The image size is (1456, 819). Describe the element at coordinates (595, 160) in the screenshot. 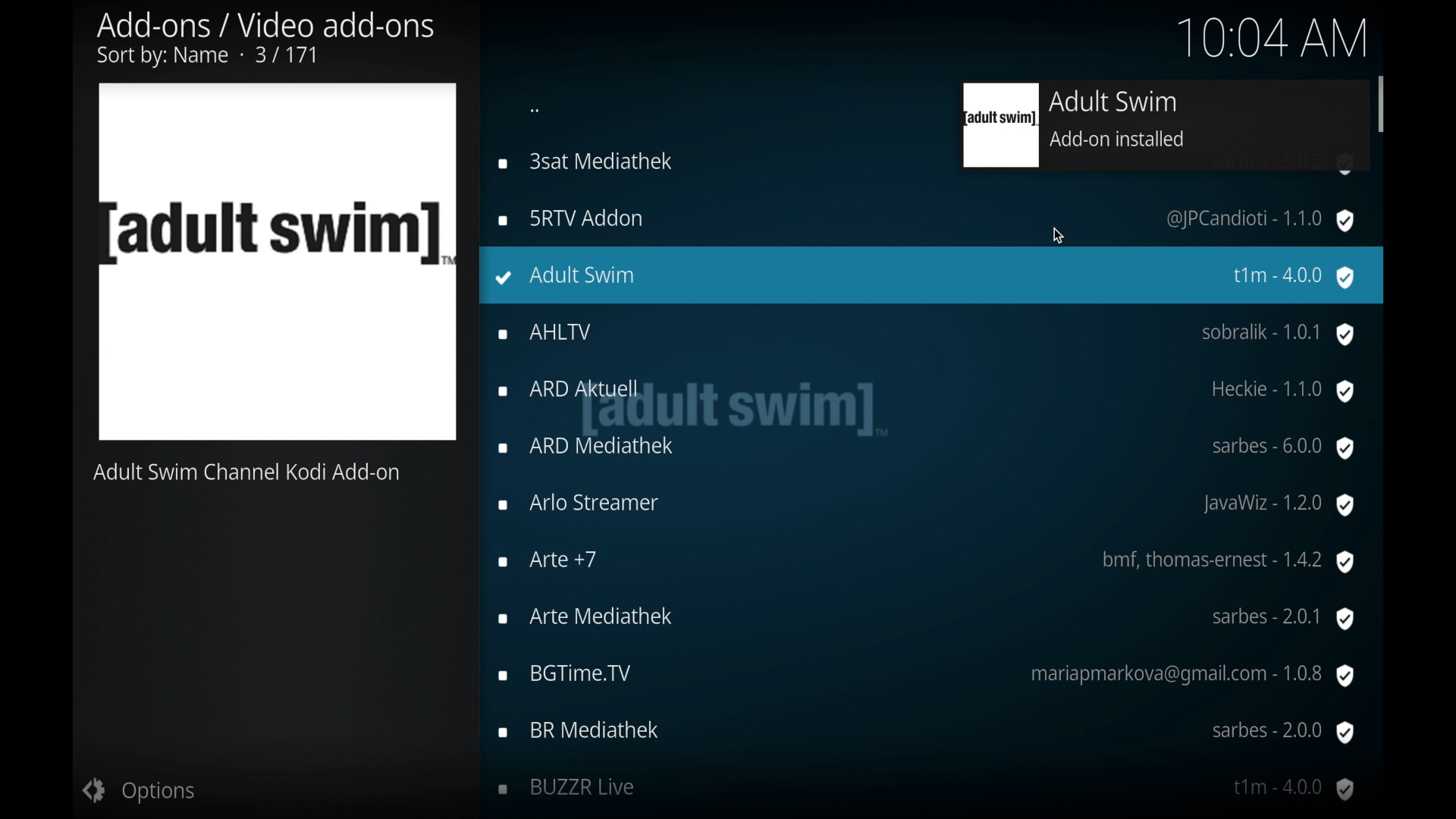

I see `3sat mediathek` at that location.